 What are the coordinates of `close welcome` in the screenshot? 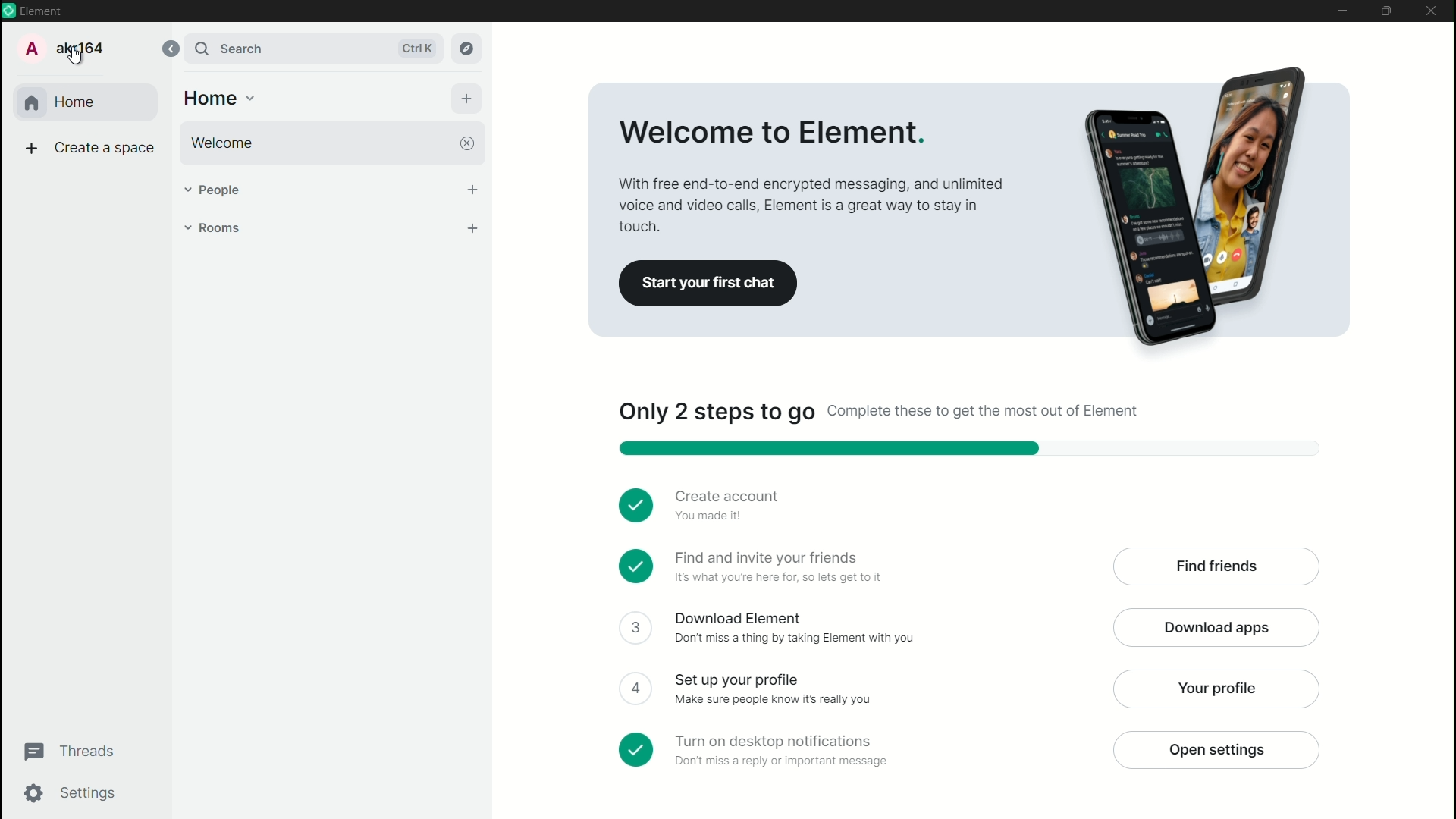 It's located at (468, 144).